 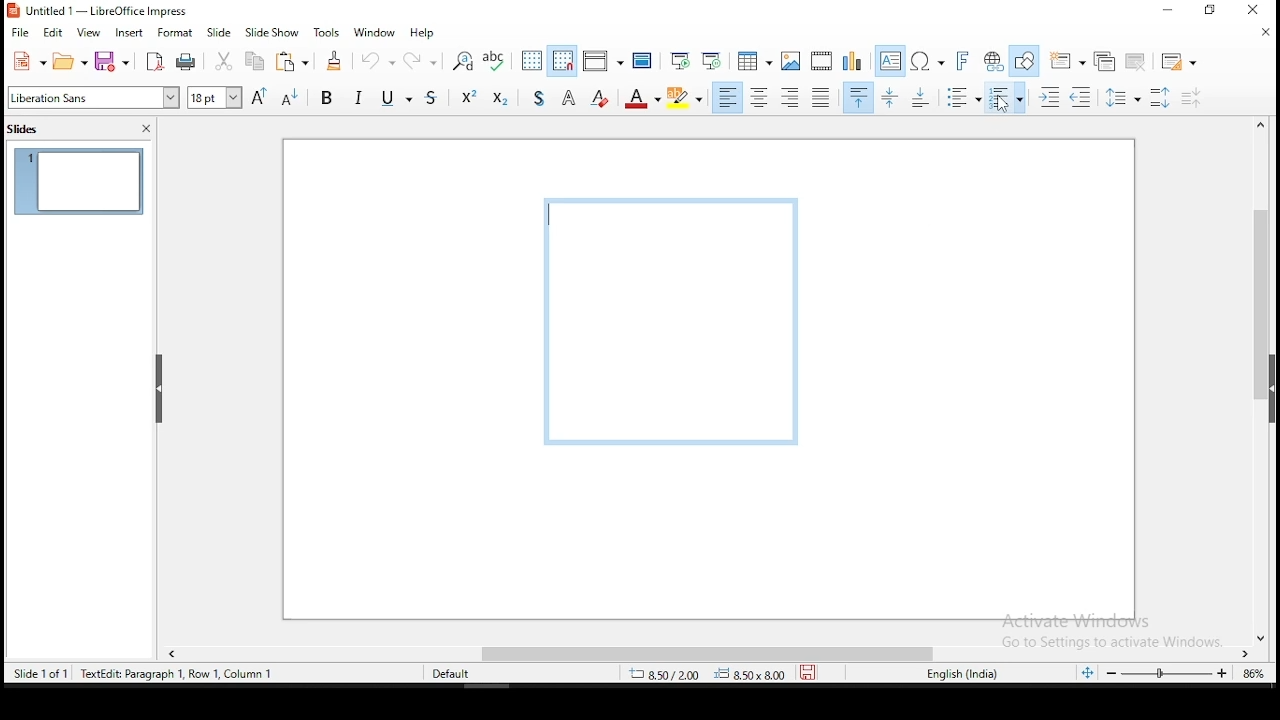 What do you see at coordinates (1261, 381) in the screenshot?
I see `scroll bar` at bounding box center [1261, 381].